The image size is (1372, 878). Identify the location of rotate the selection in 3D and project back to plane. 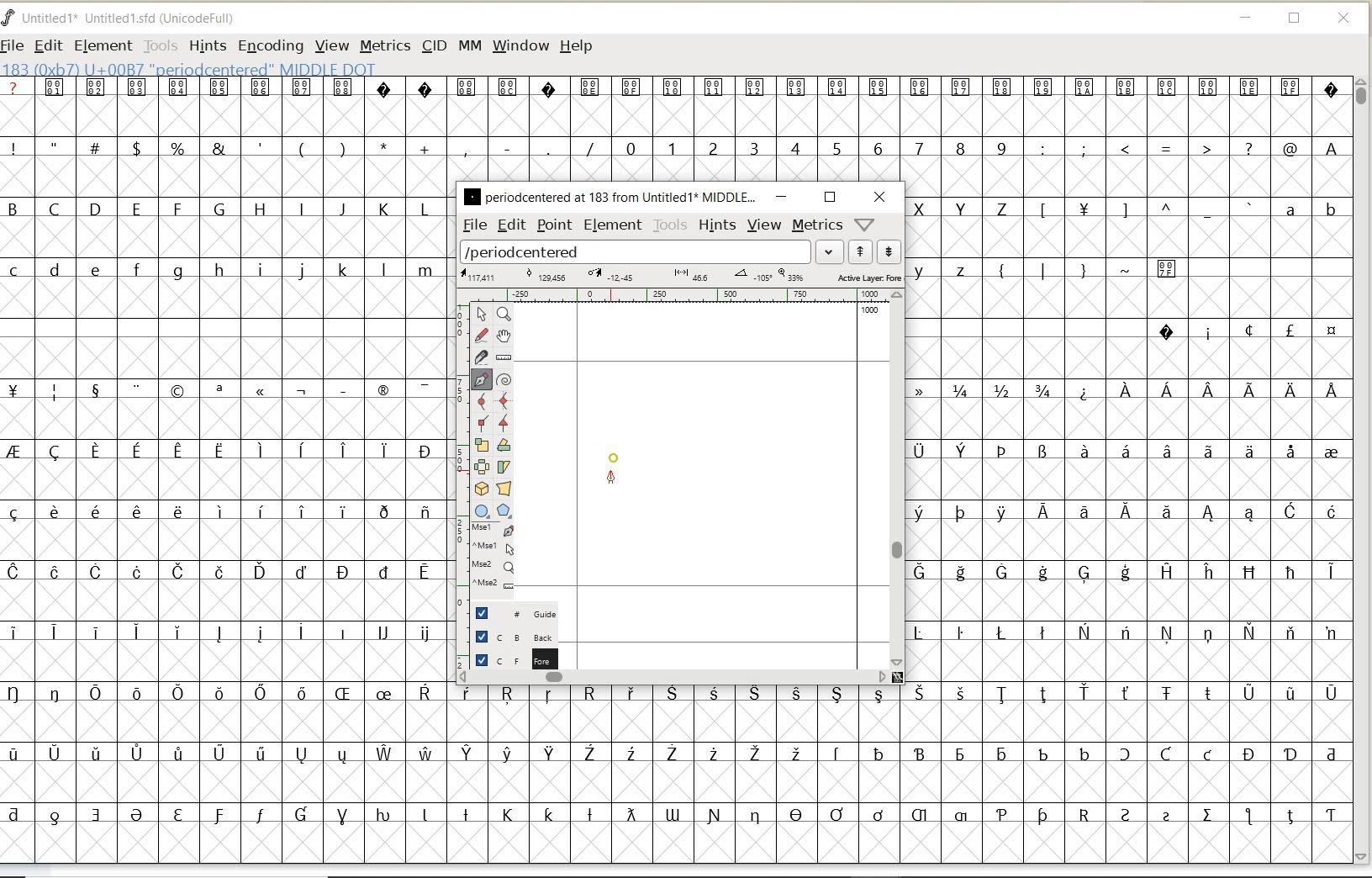
(481, 488).